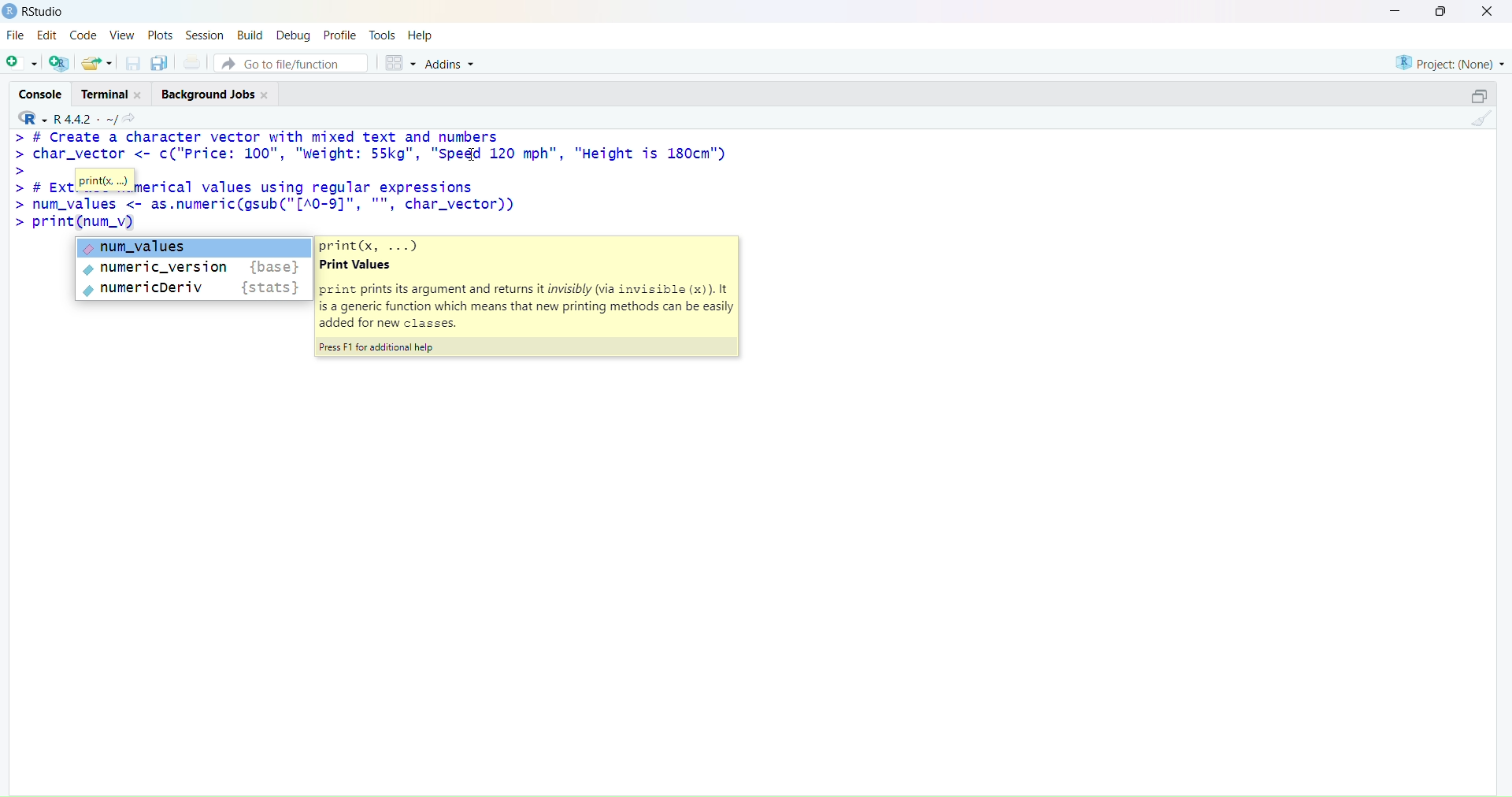 Image resolution: width=1512 pixels, height=797 pixels. Describe the element at coordinates (98, 63) in the screenshot. I see `share as` at that location.